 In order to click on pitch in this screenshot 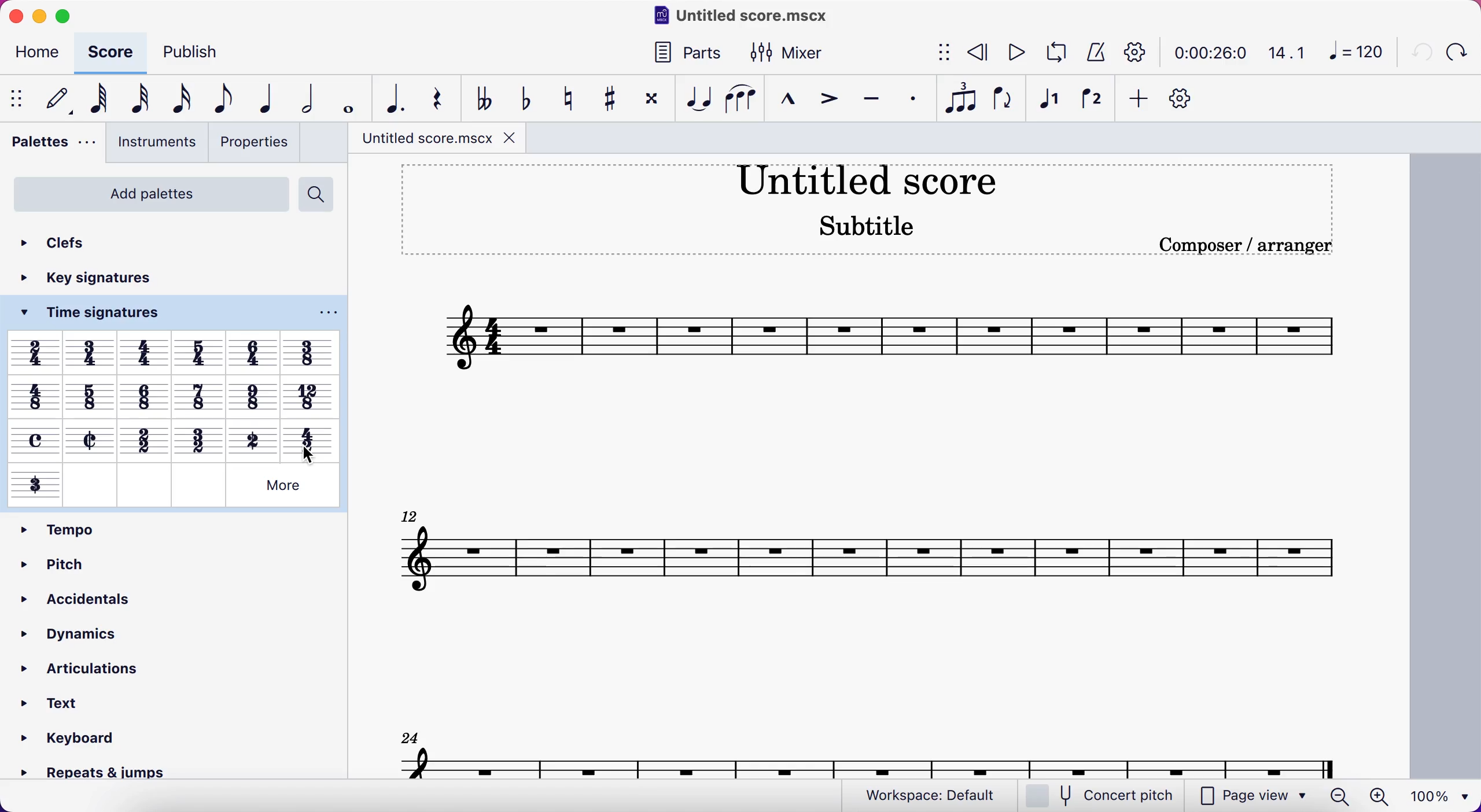, I will do `click(71, 560)`.